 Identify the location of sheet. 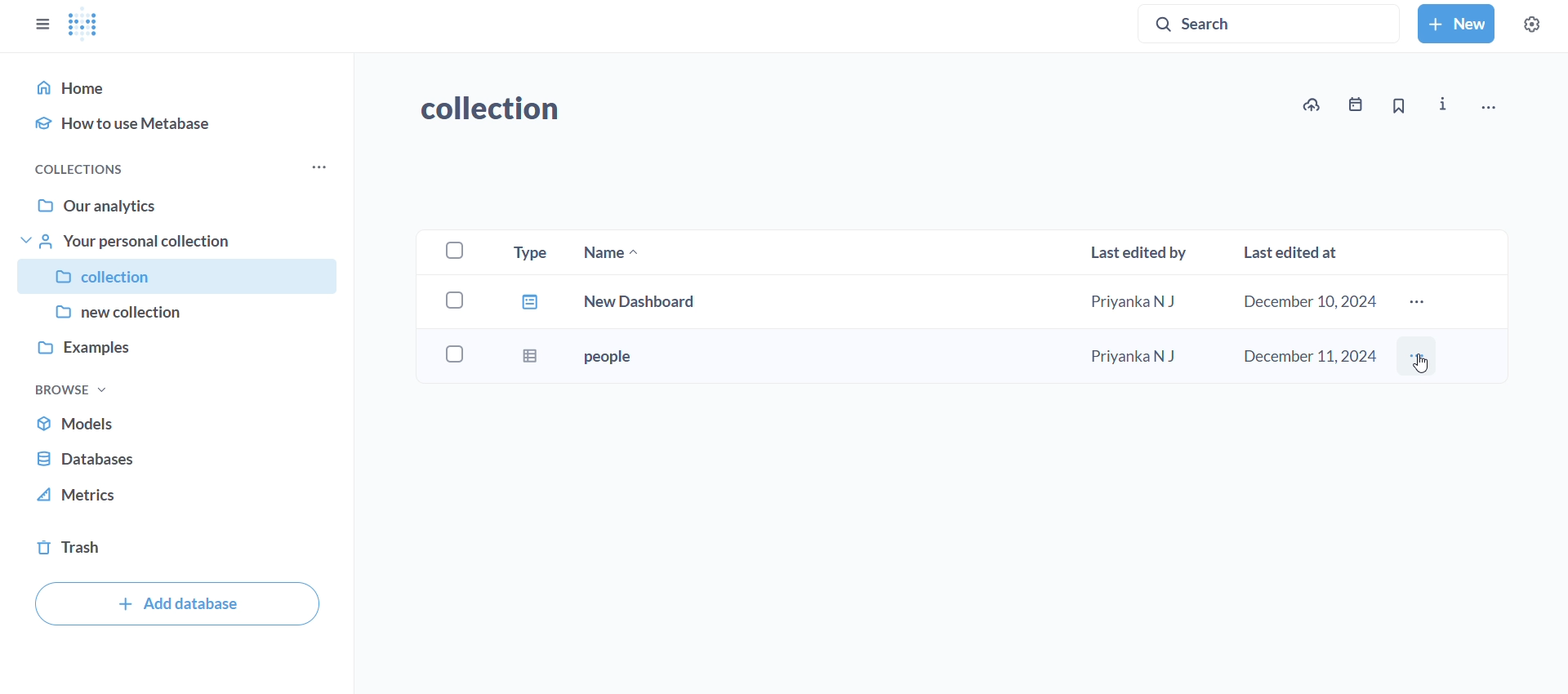
(528, 355).